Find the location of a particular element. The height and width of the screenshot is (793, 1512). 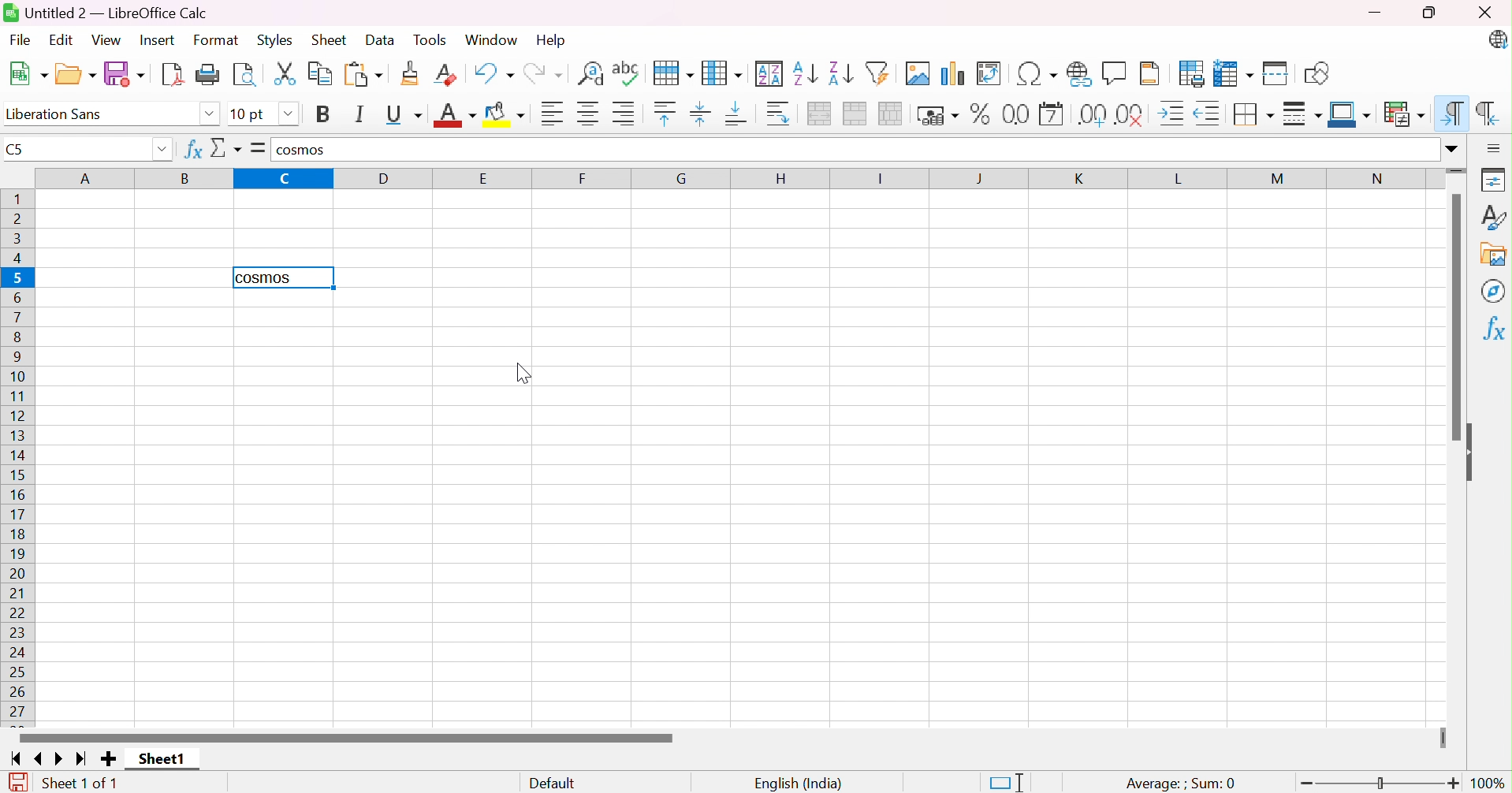

Format as Number is located at coordinates (1015, 114).